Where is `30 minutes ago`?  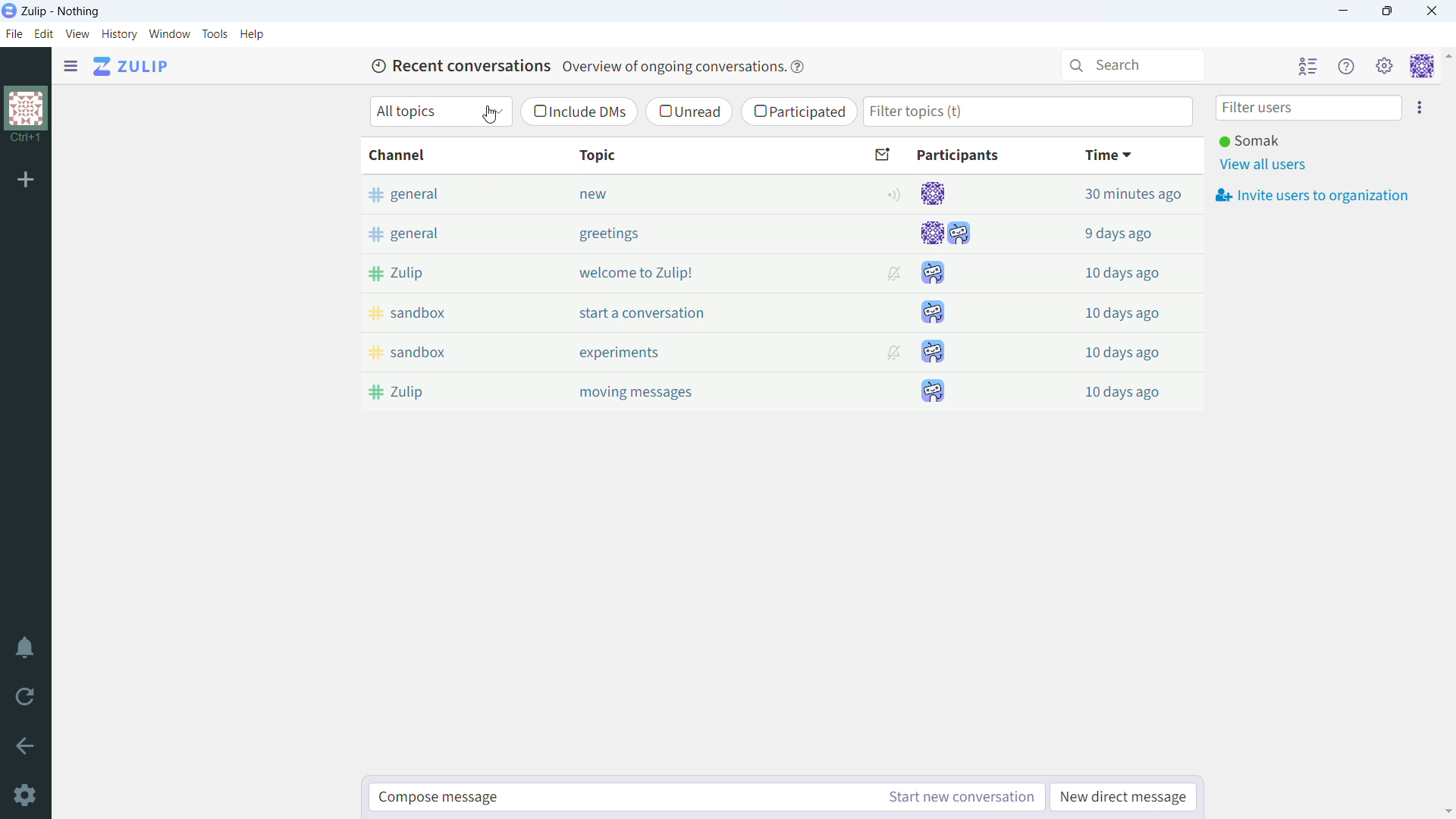 30 minutes ago is located at coordinates (1123, 195).